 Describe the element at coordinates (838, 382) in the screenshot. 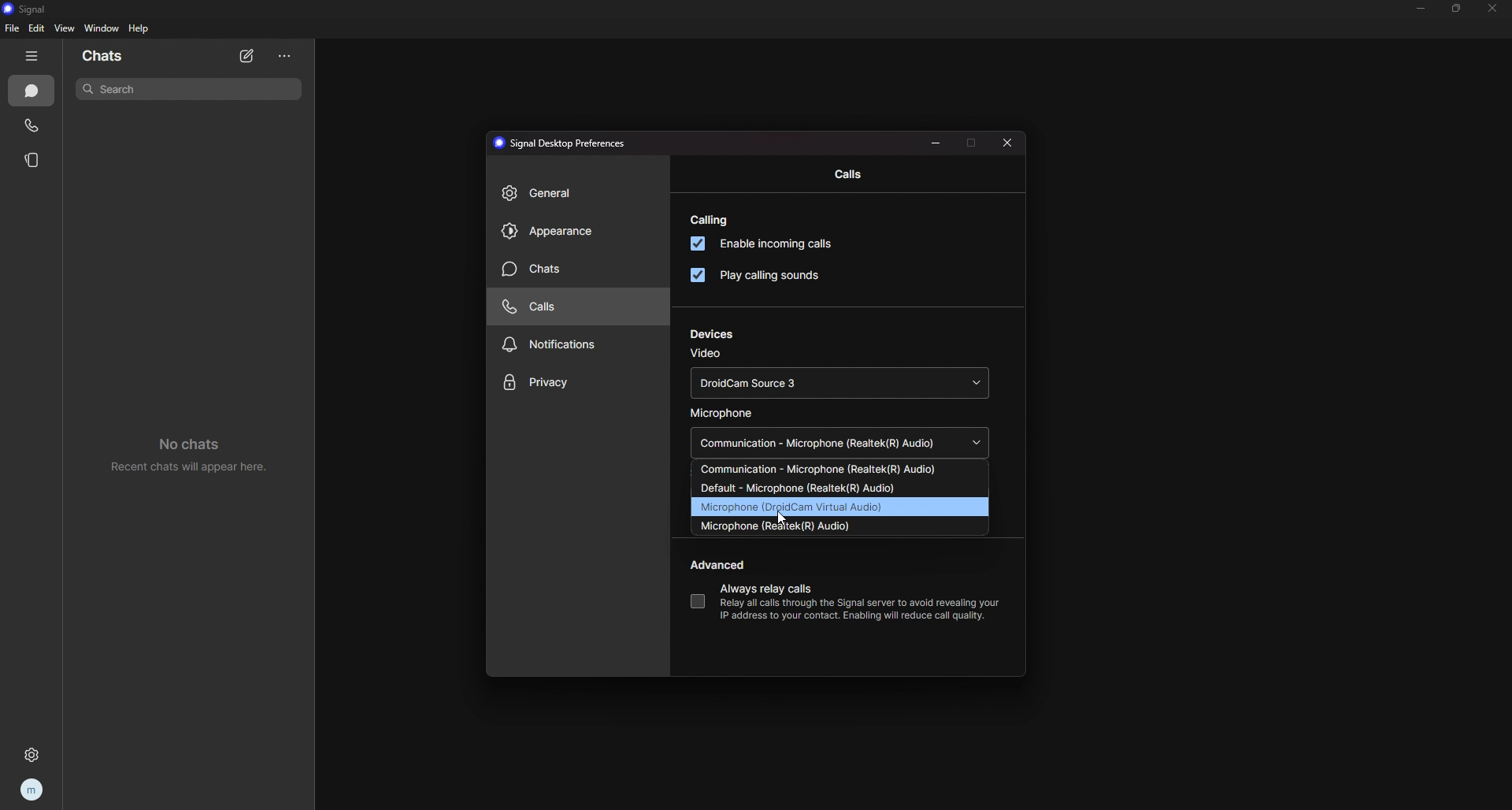

I see `video source` at that location.